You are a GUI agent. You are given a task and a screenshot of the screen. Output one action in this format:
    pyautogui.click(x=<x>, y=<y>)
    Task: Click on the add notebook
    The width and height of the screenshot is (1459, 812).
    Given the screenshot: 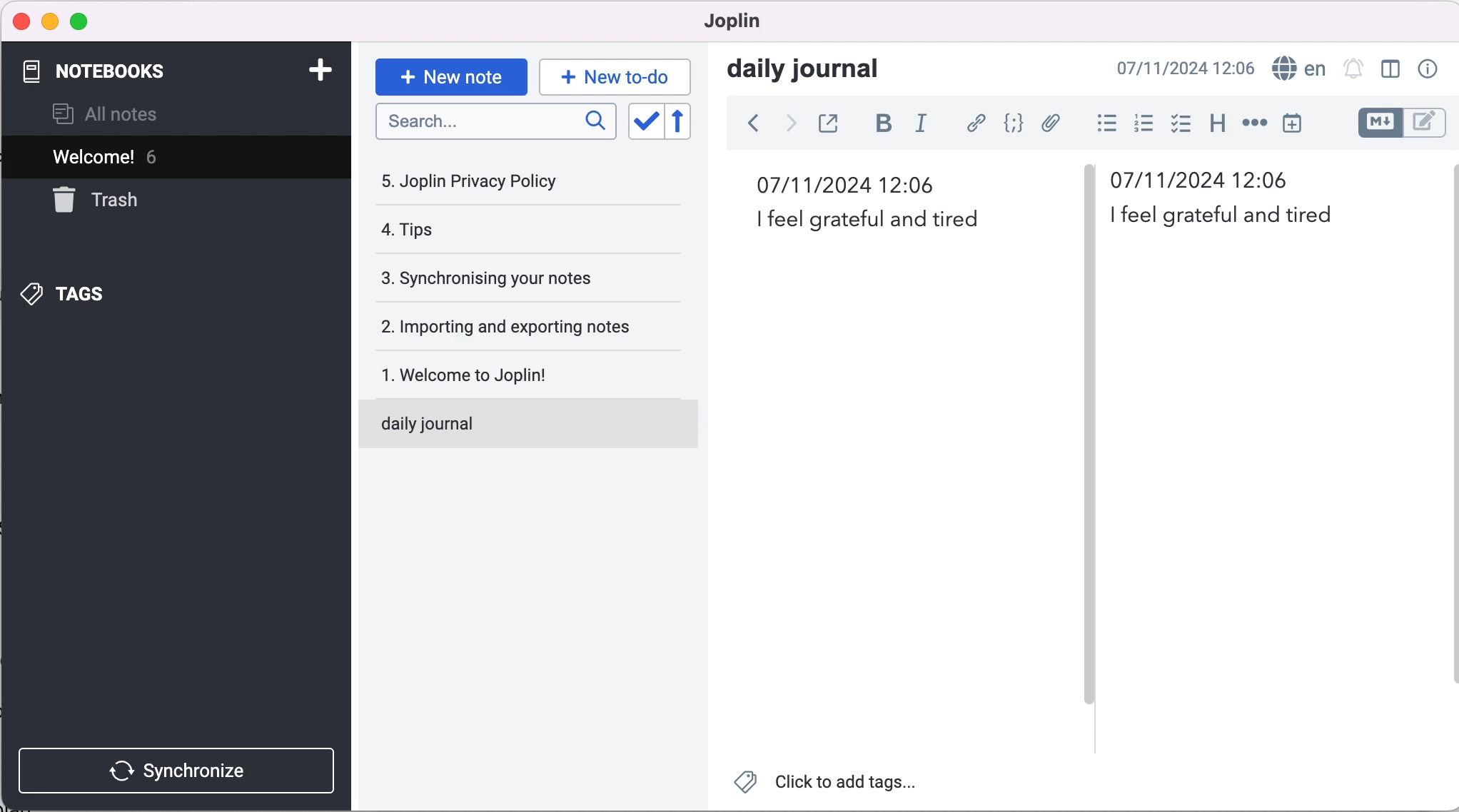 What is the action you would take?
    pyautogui.click(x=320, y=71)
    